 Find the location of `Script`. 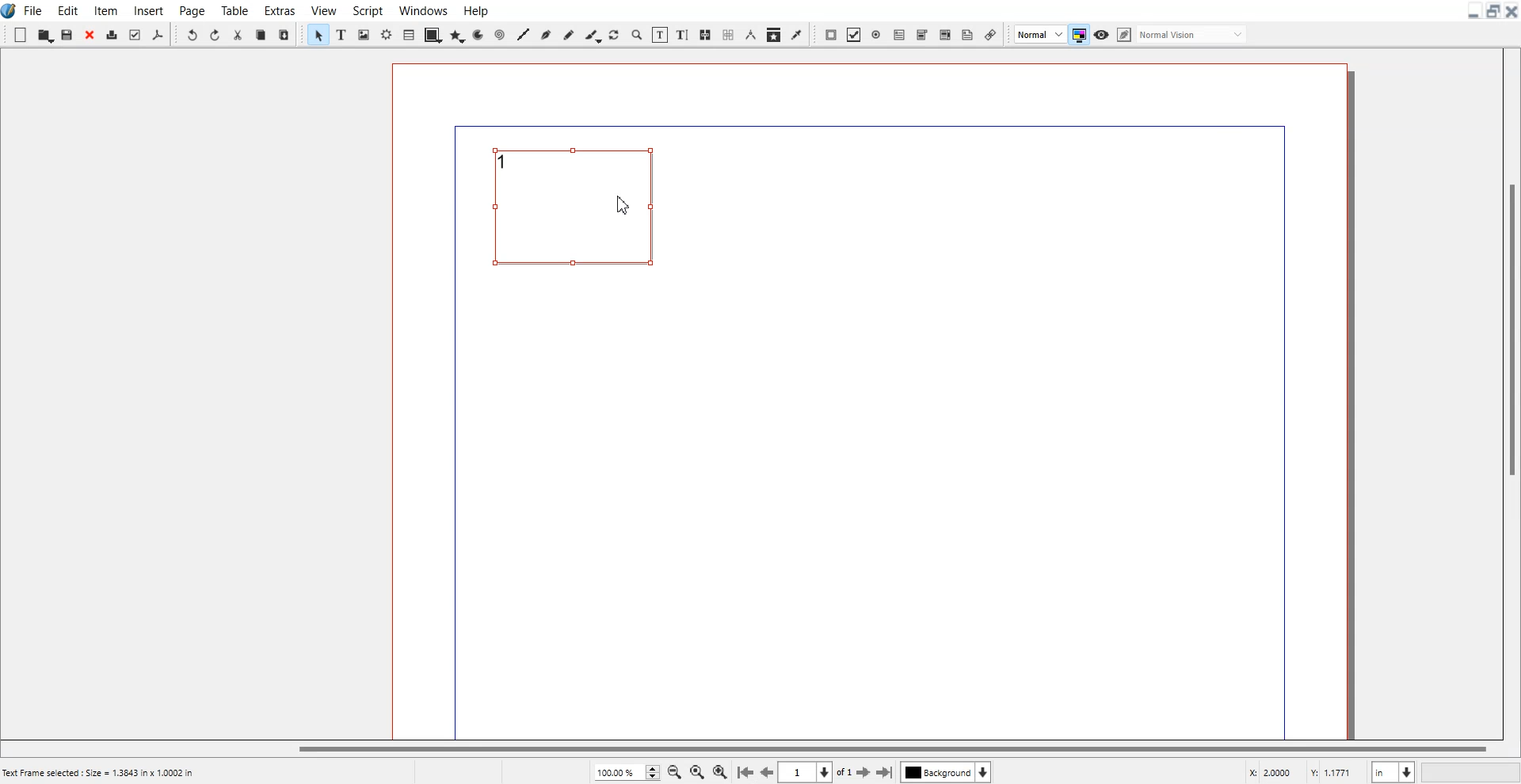

Script is located at coordinates (366, 10).